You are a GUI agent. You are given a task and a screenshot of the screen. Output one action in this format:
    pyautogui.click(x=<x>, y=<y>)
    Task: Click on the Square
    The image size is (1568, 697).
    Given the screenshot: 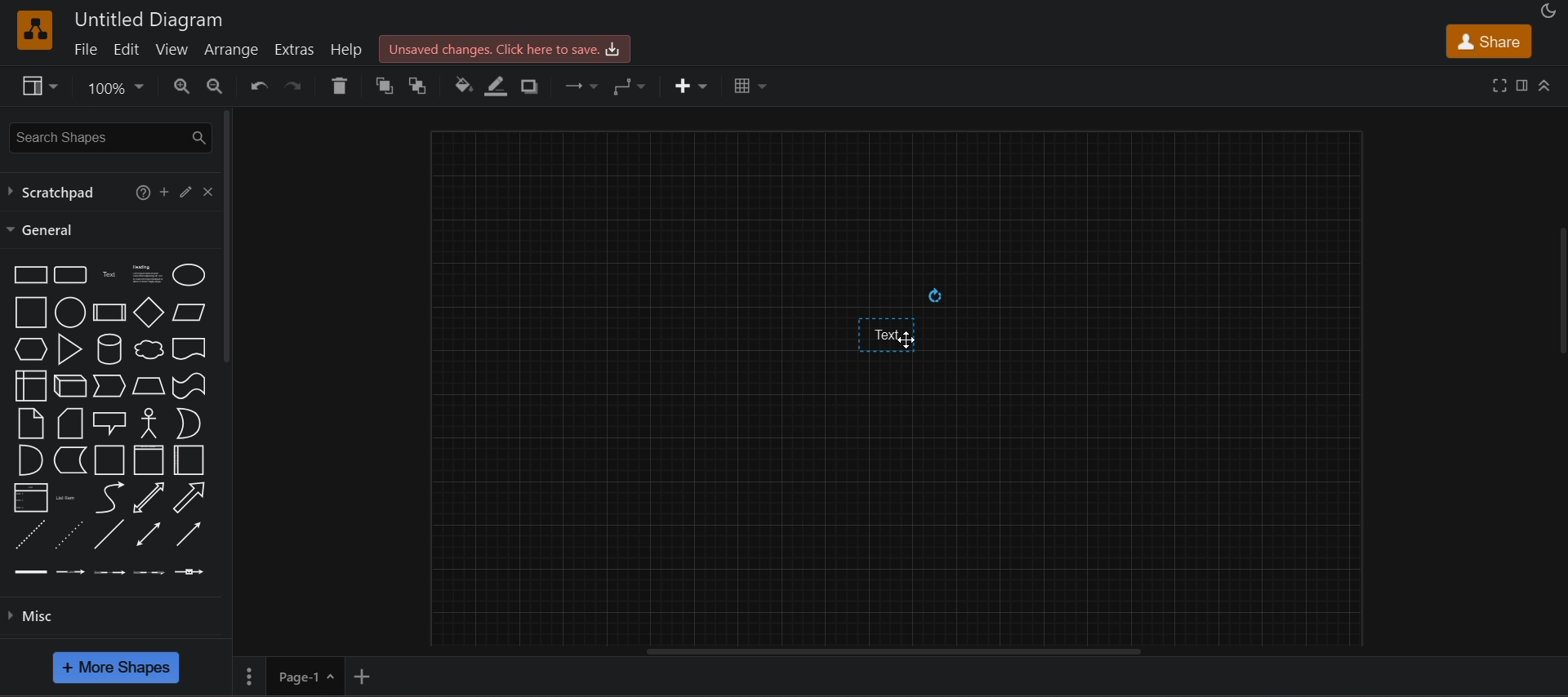 What is the action you would take?
    pyautogui.click(x=31, y=312)
    